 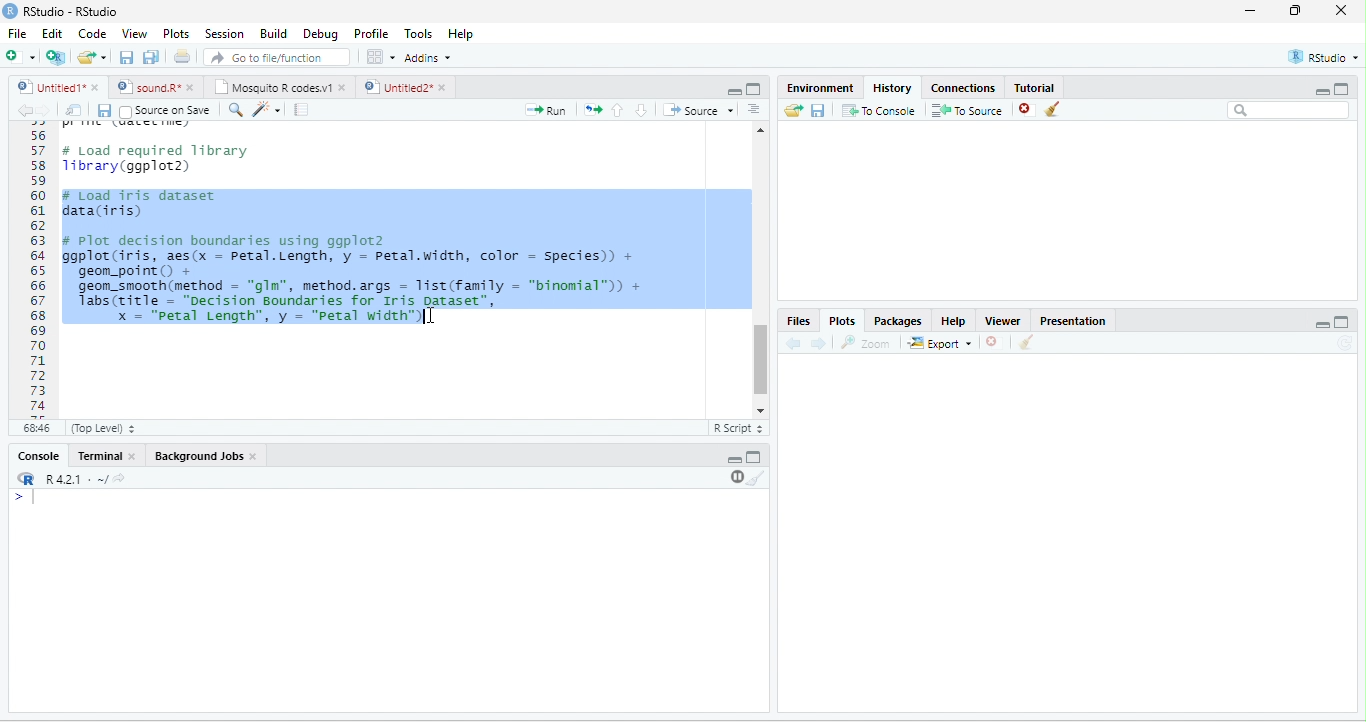 What do you see at coordinates (1035, 88) in the screenshot?
I see `Tutorial` at bounding box center [1035, 88].